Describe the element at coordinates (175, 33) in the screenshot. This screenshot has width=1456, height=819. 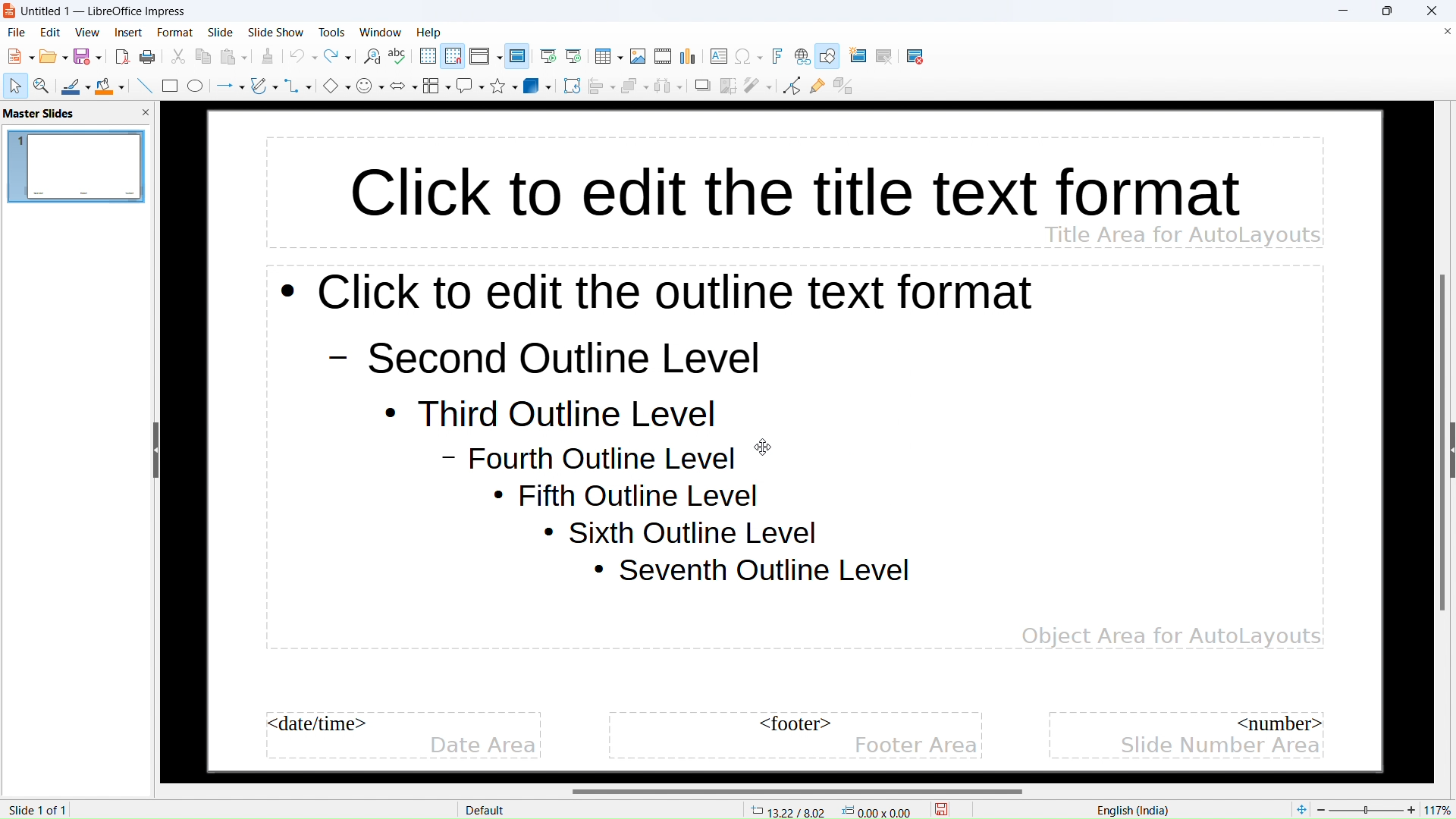
I see `format` at that location.